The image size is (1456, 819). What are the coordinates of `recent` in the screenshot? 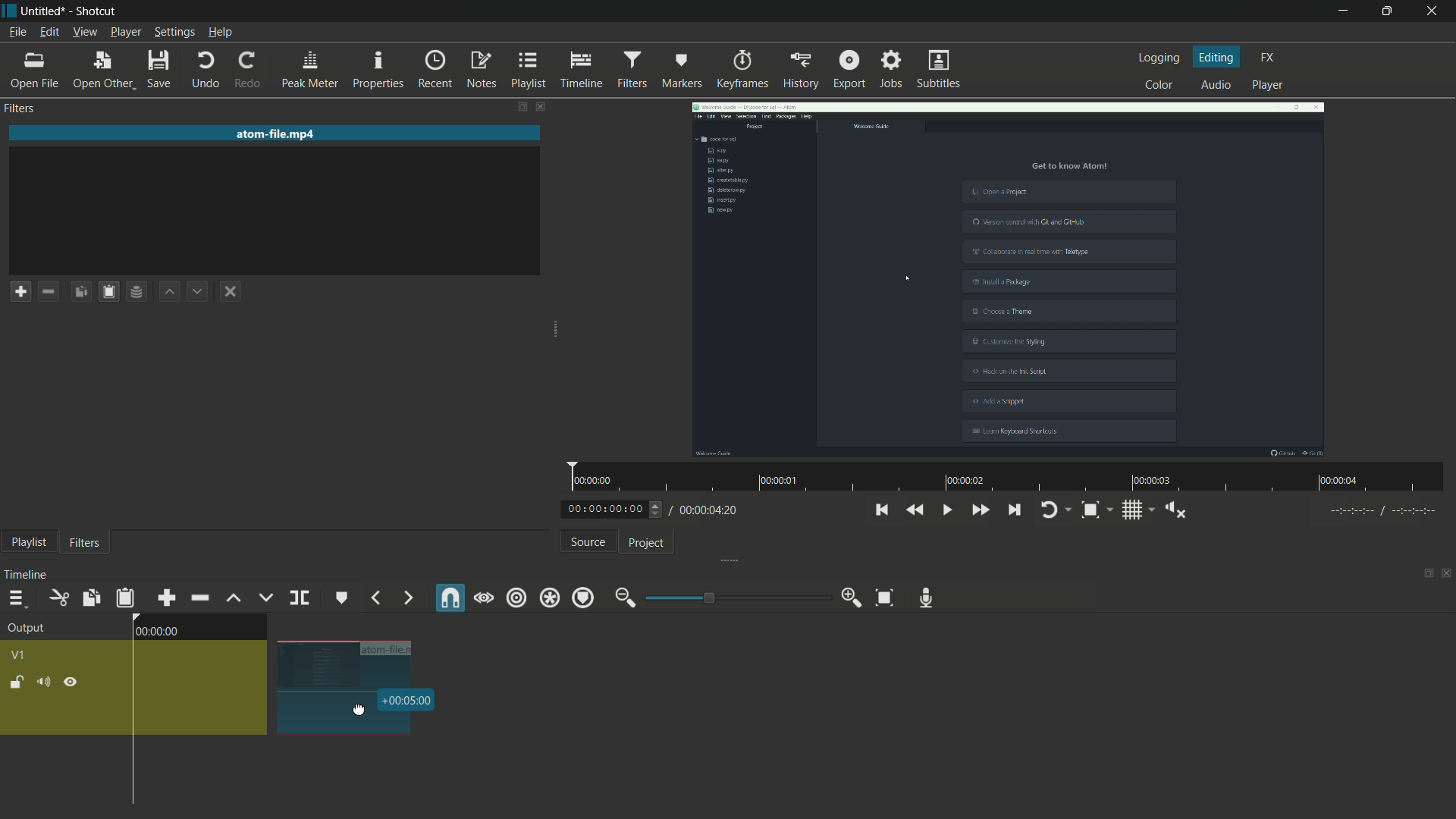 It's located at (431, 69).